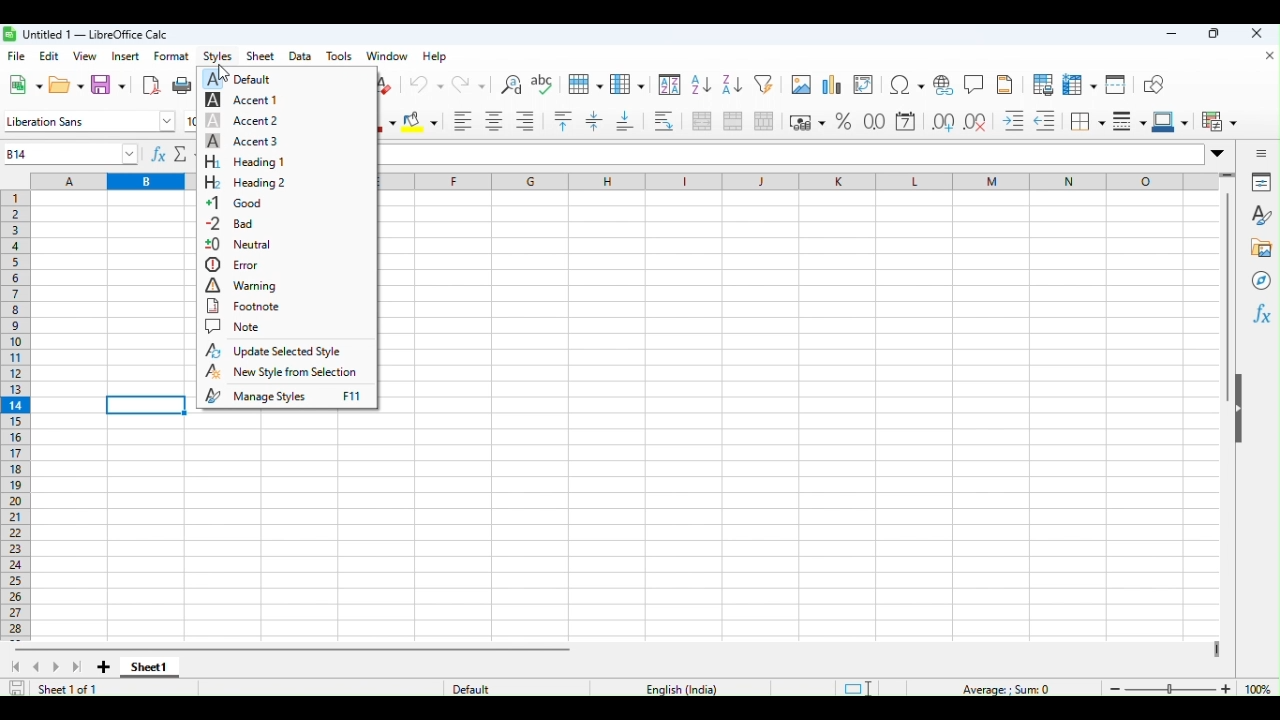 The height and width of the screenshot is (720, 1280). Describe the element at coordinates (239, 265) in the screenshot. I see `error` at that location.